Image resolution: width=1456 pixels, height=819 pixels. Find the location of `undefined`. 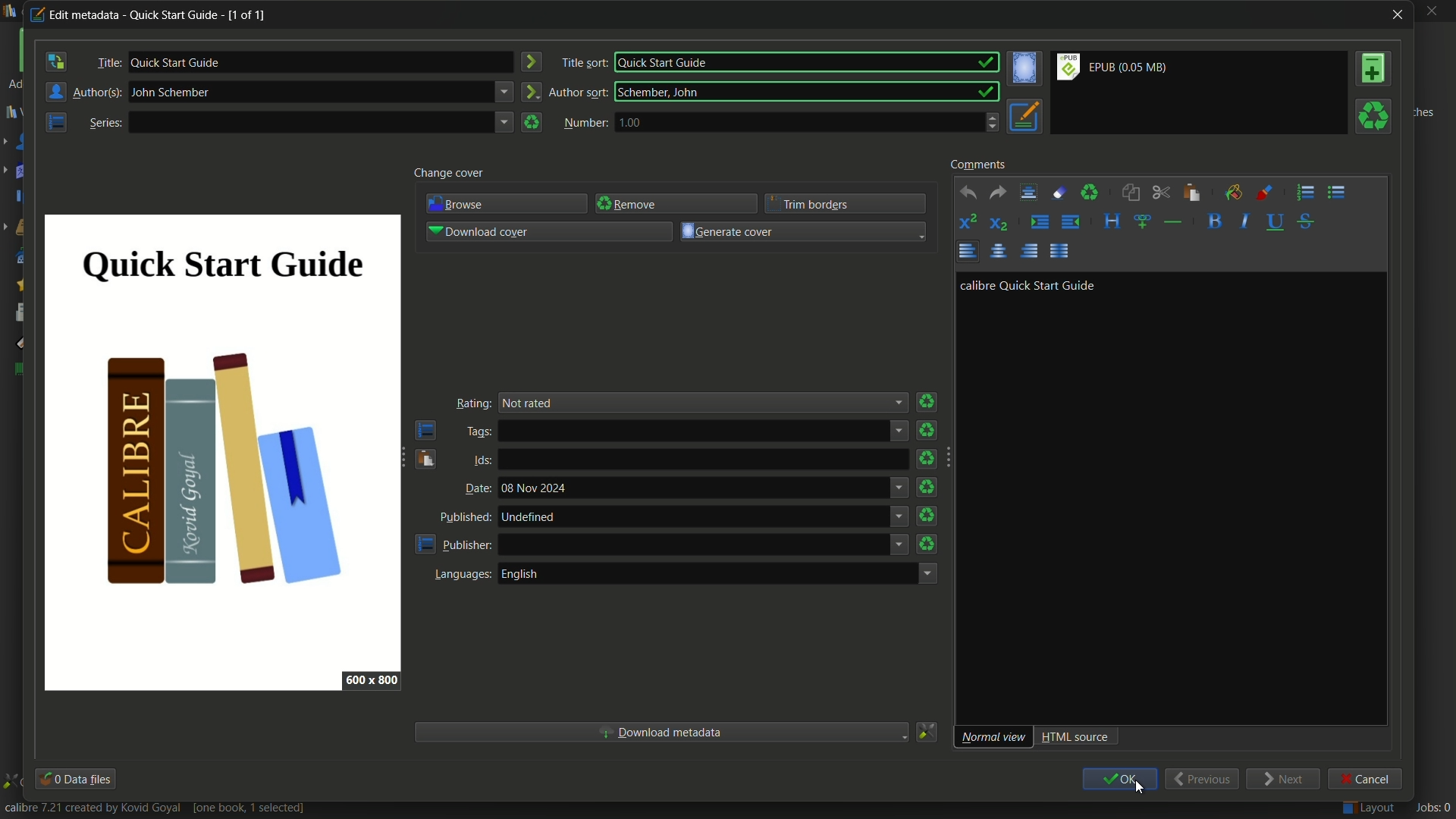

undefined is located at coordinates (539, 516).